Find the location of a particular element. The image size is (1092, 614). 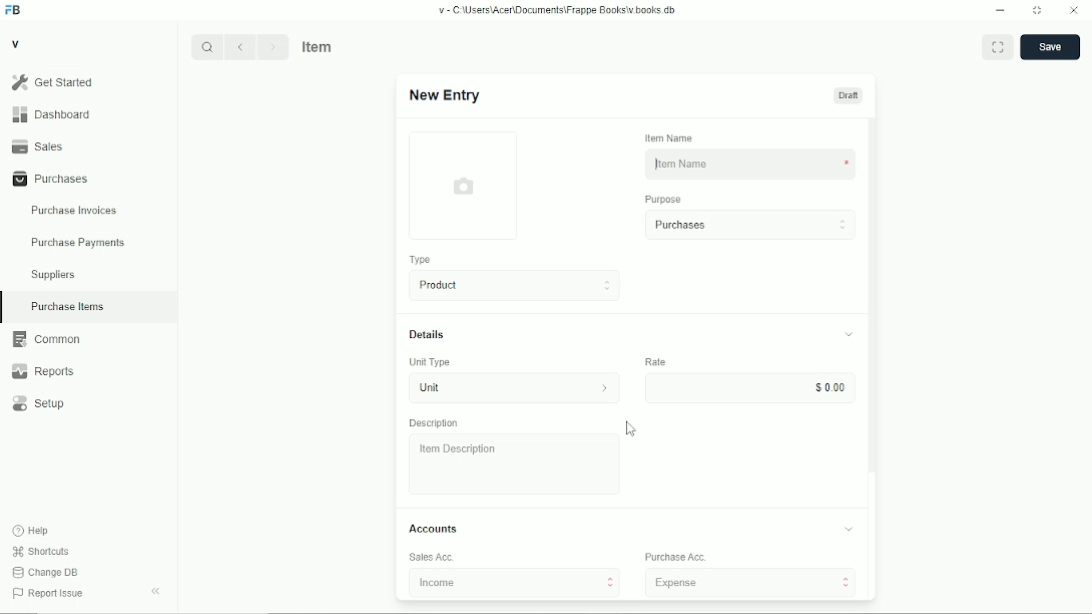

Toggle between form and full width is located at coordinates (1038, 11).